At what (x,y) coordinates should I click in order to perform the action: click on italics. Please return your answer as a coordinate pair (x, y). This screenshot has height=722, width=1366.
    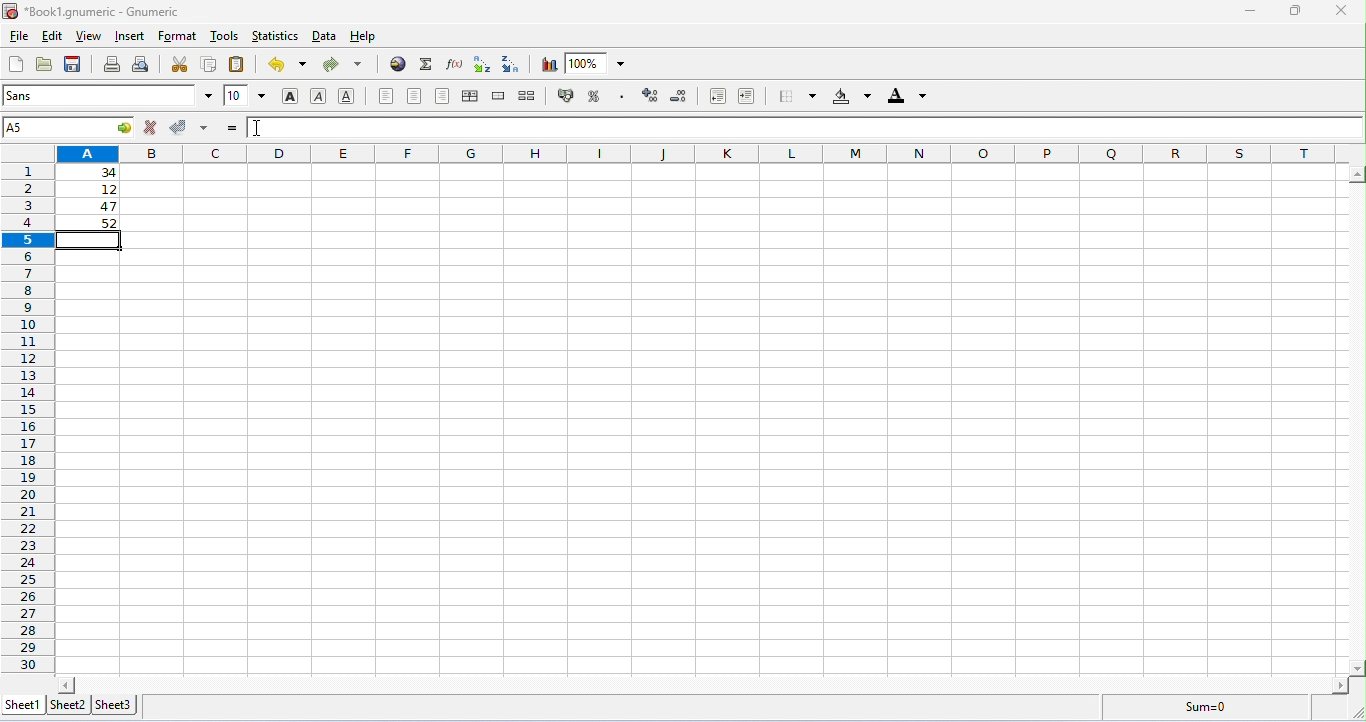
    Looking at the image, I should click on (318, 96).